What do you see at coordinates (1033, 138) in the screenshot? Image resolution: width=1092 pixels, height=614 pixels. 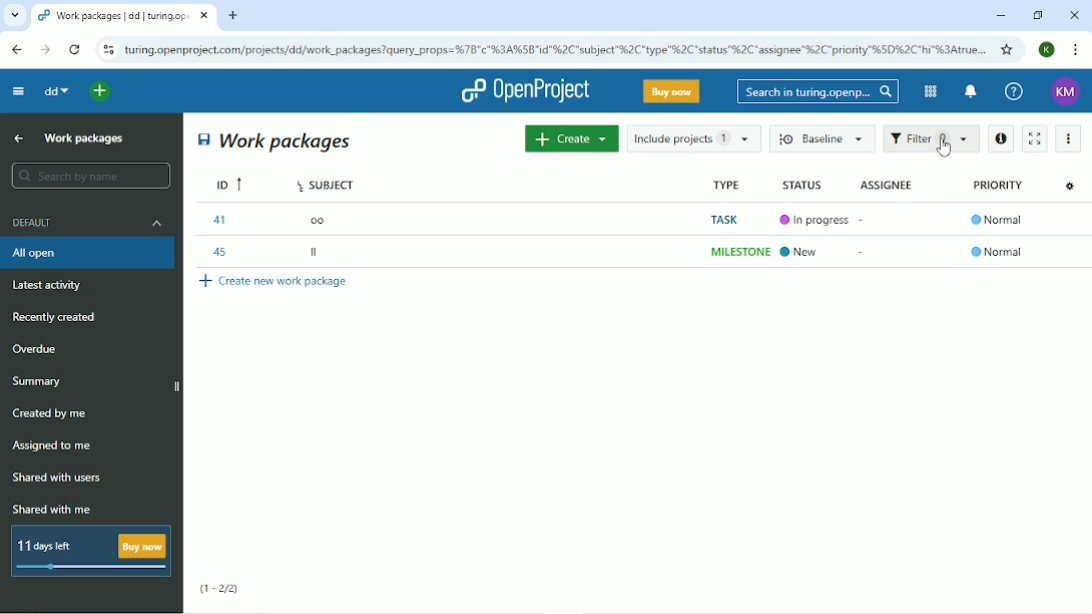 I see `Activate zen mode` at bounding box center [1033, 138].